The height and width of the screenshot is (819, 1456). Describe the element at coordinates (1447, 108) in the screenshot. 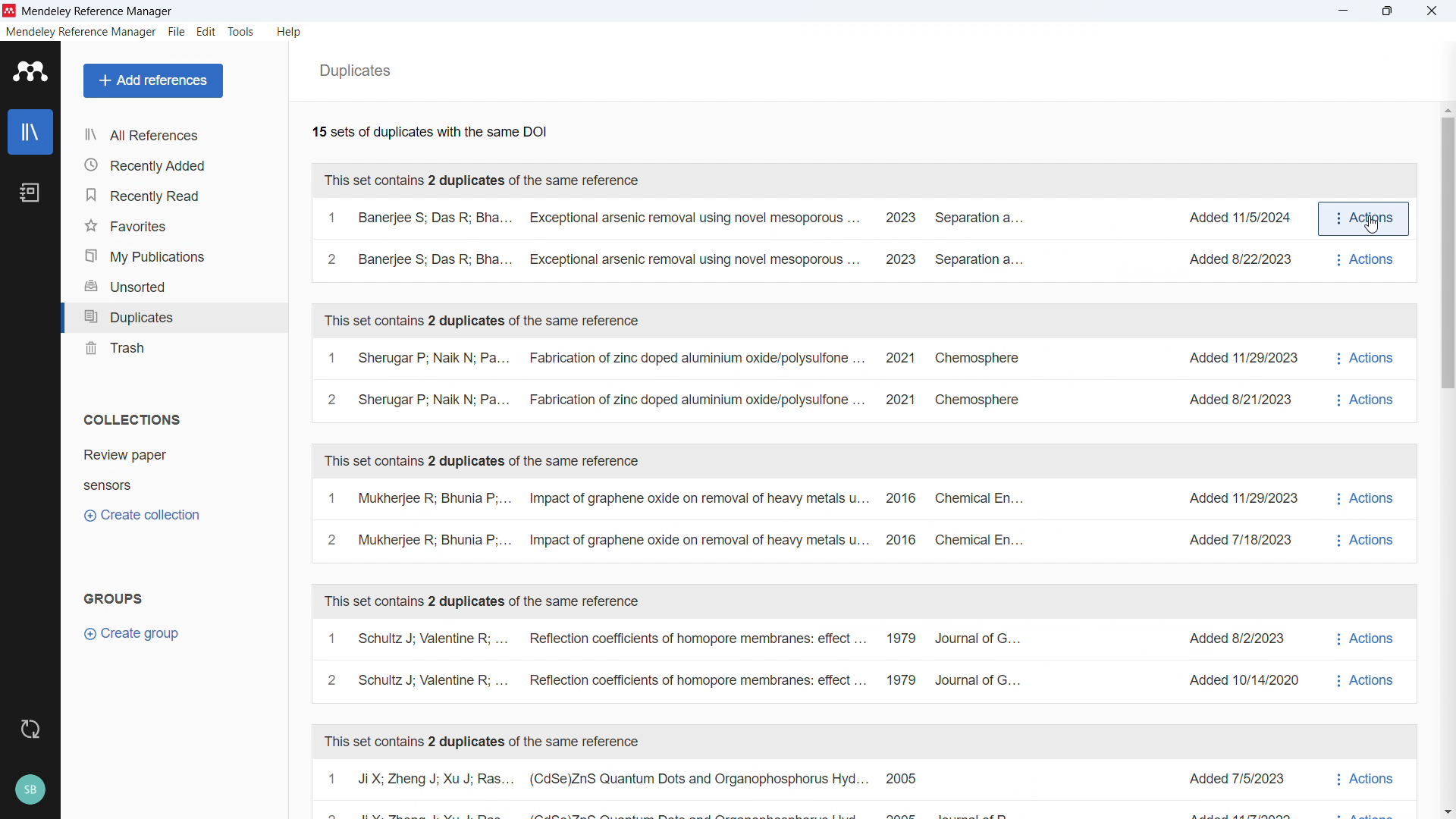

I see `Scroll up` at that location.